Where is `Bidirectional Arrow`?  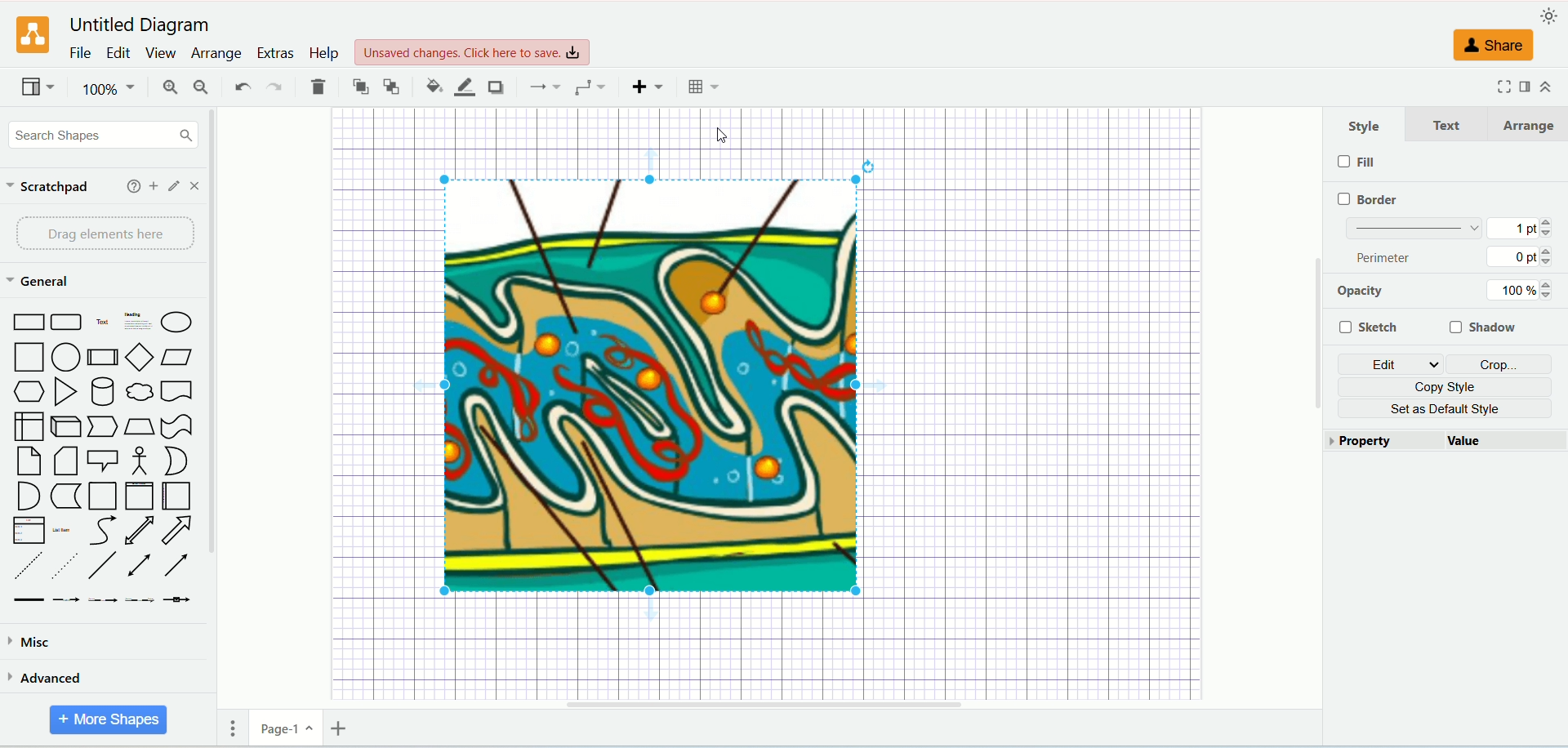 Bidirectional Arrow is located at coordinates (140, 532).